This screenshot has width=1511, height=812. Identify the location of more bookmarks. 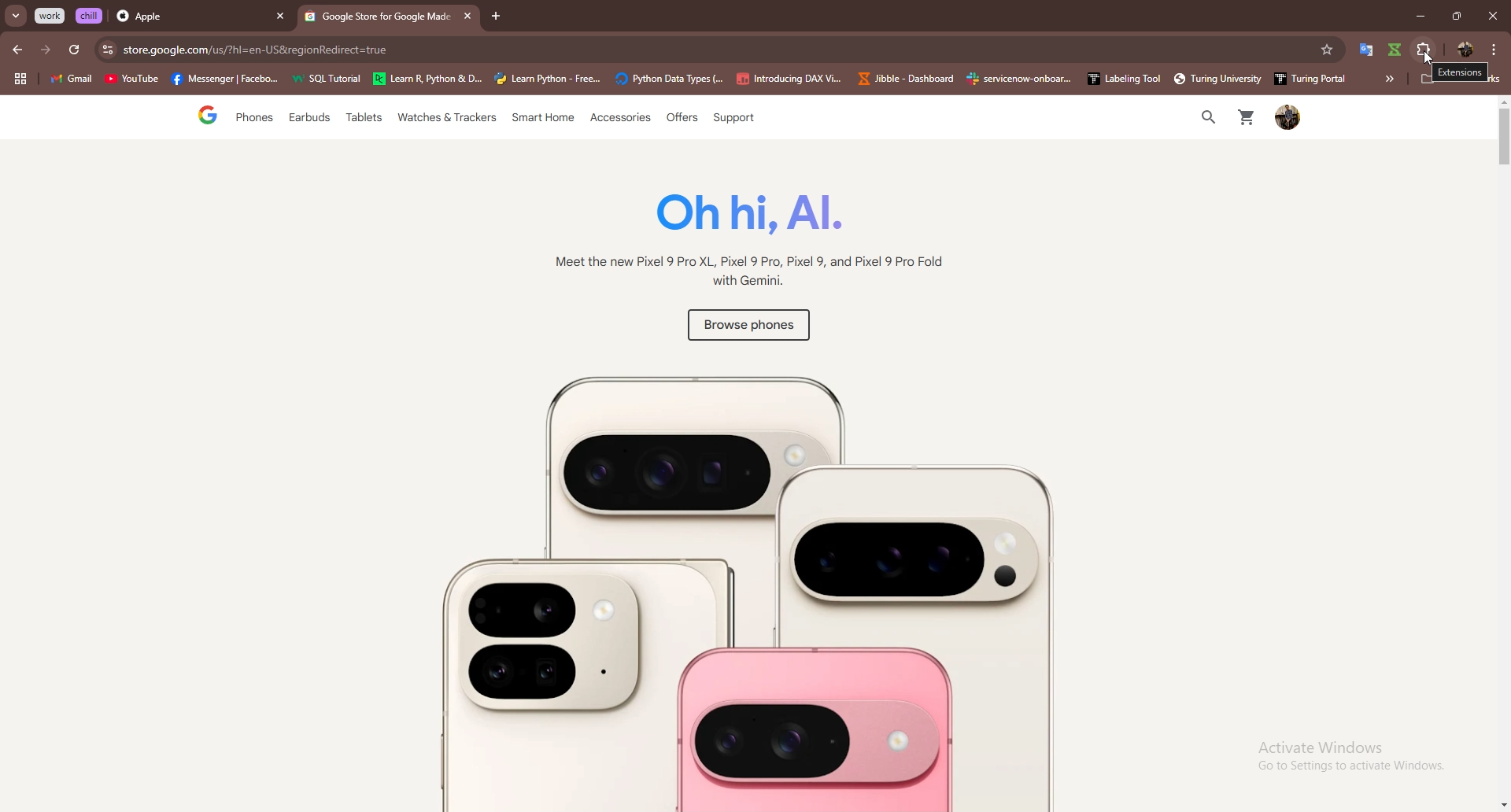
(1389, 79).